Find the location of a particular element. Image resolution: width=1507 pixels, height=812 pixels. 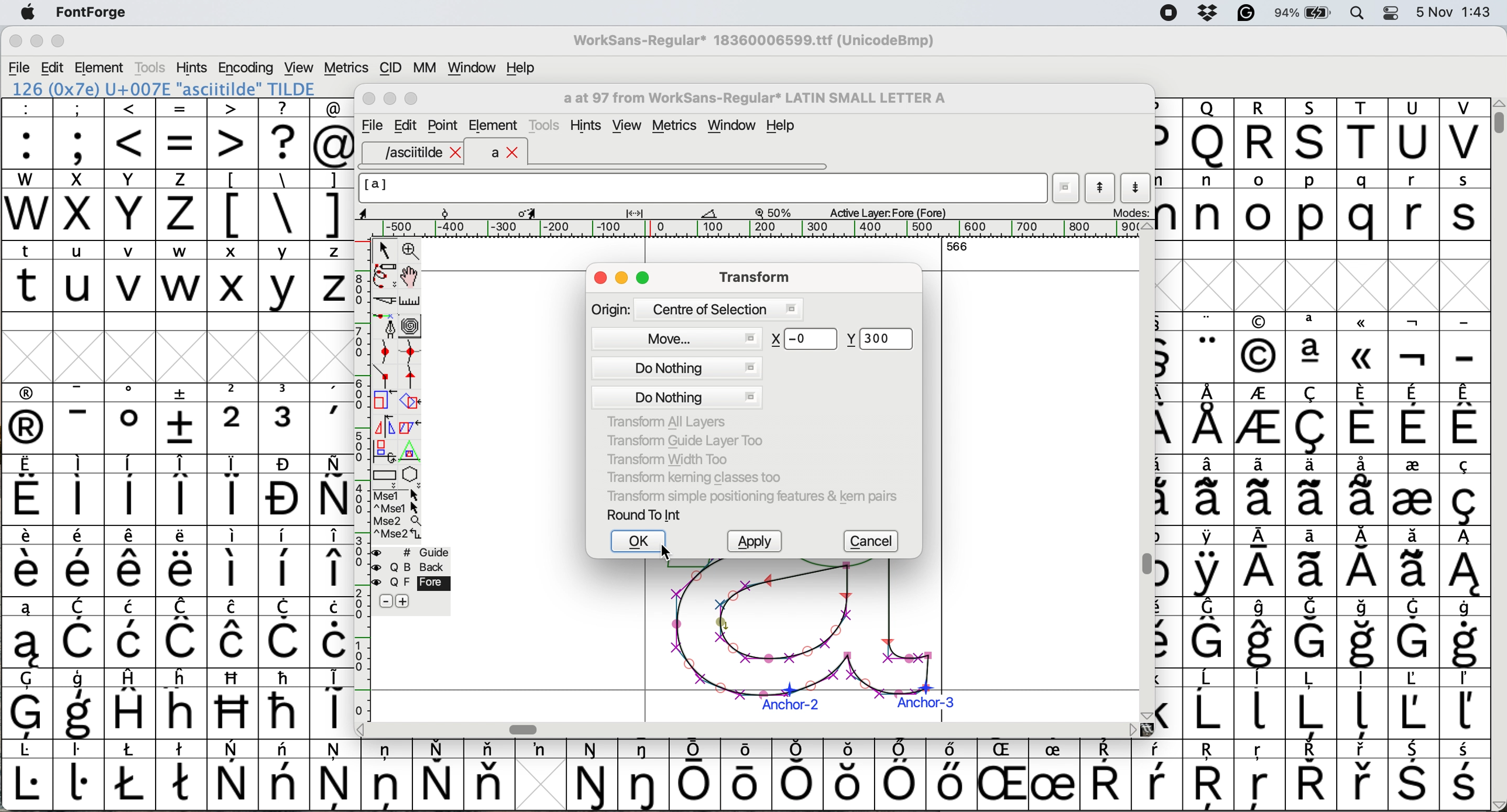

tranform width too is located at coordinates (674, 457).